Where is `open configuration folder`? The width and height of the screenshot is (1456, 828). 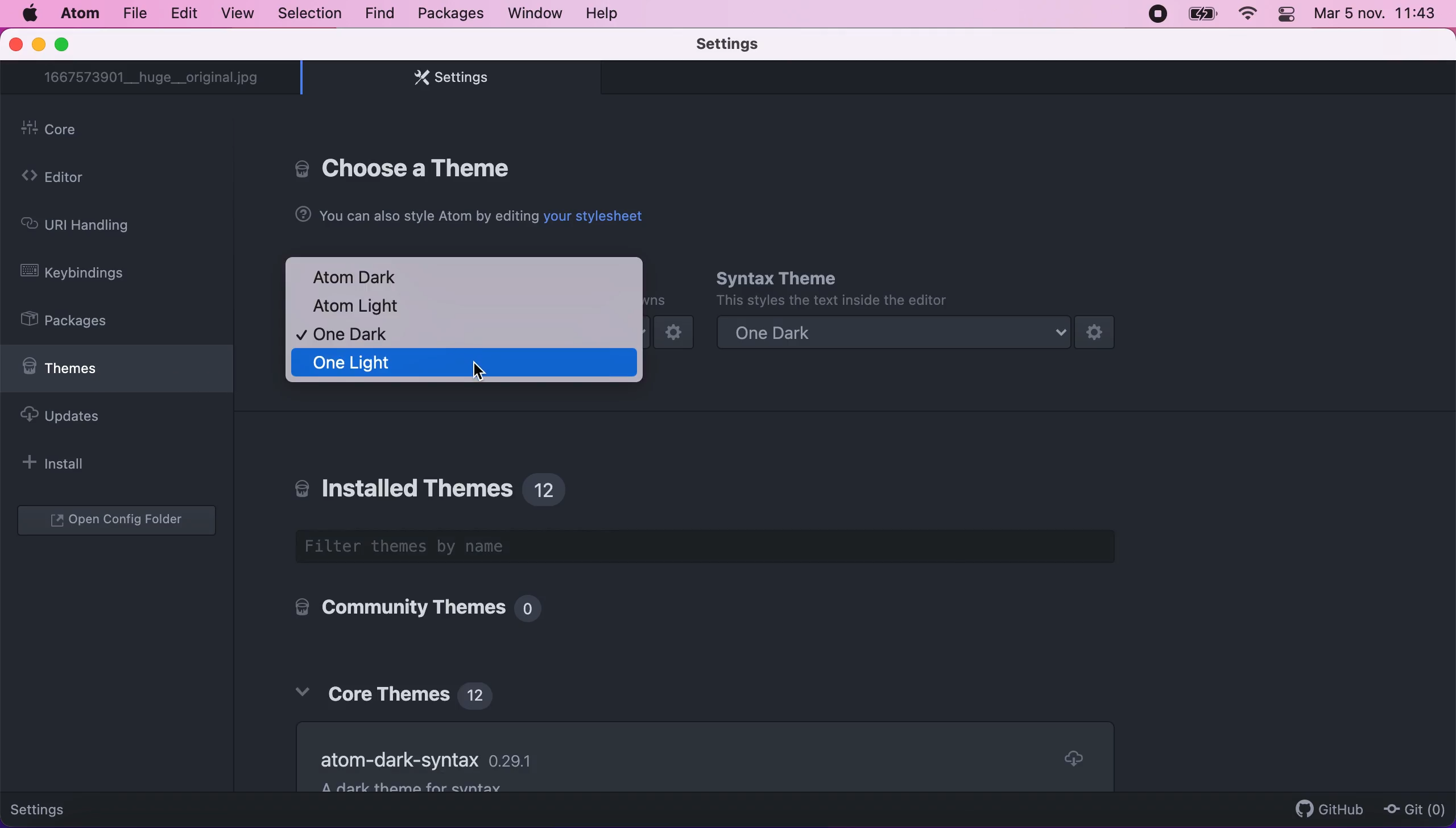
open configuration folder is located at coordinates (122, 521).